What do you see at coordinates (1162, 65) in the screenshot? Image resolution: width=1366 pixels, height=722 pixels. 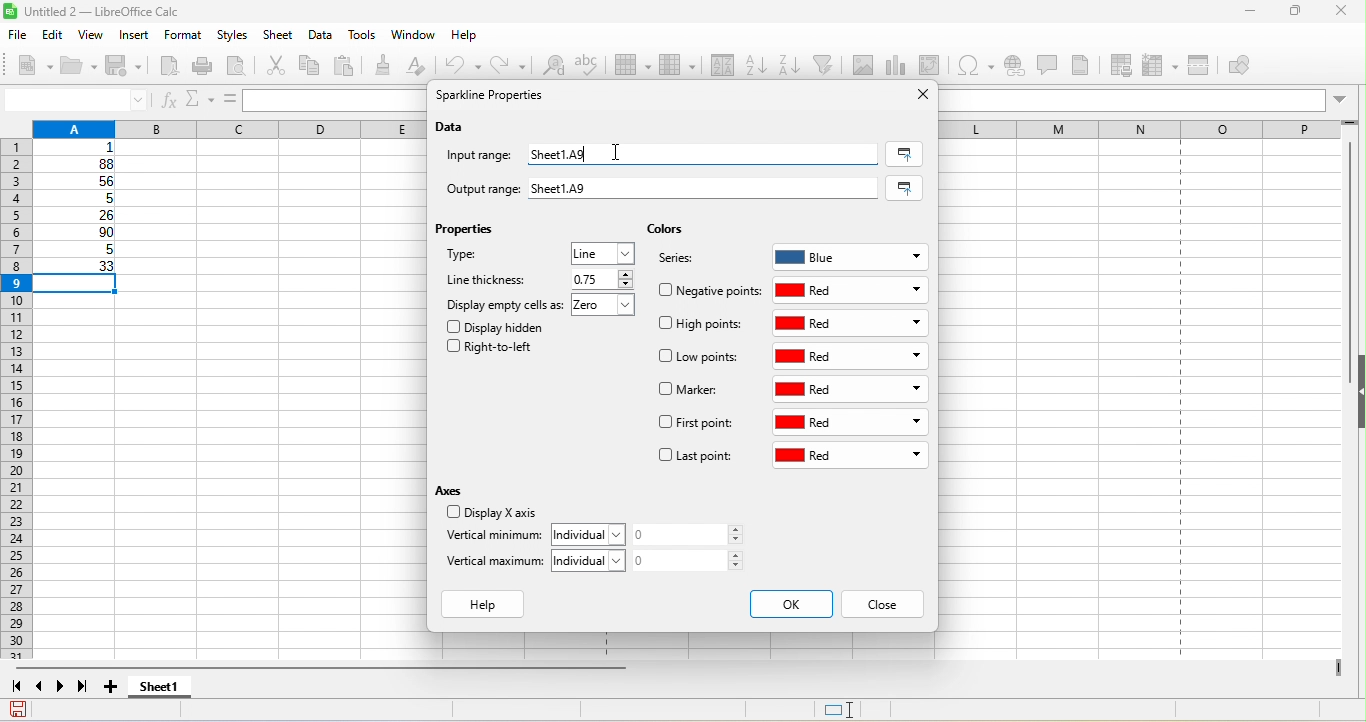 I see `freeze rows and column` at bounding box center [1162, 65].